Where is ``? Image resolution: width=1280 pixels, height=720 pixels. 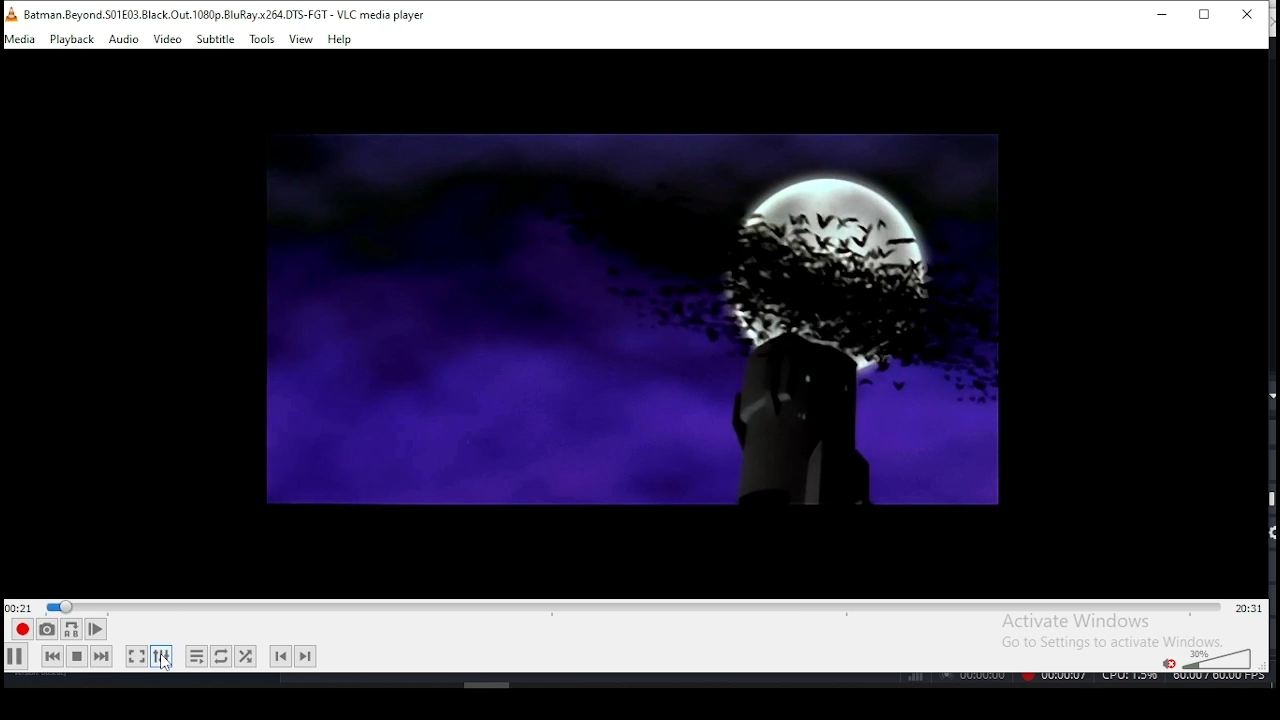  is located at coordinates (488, 683).